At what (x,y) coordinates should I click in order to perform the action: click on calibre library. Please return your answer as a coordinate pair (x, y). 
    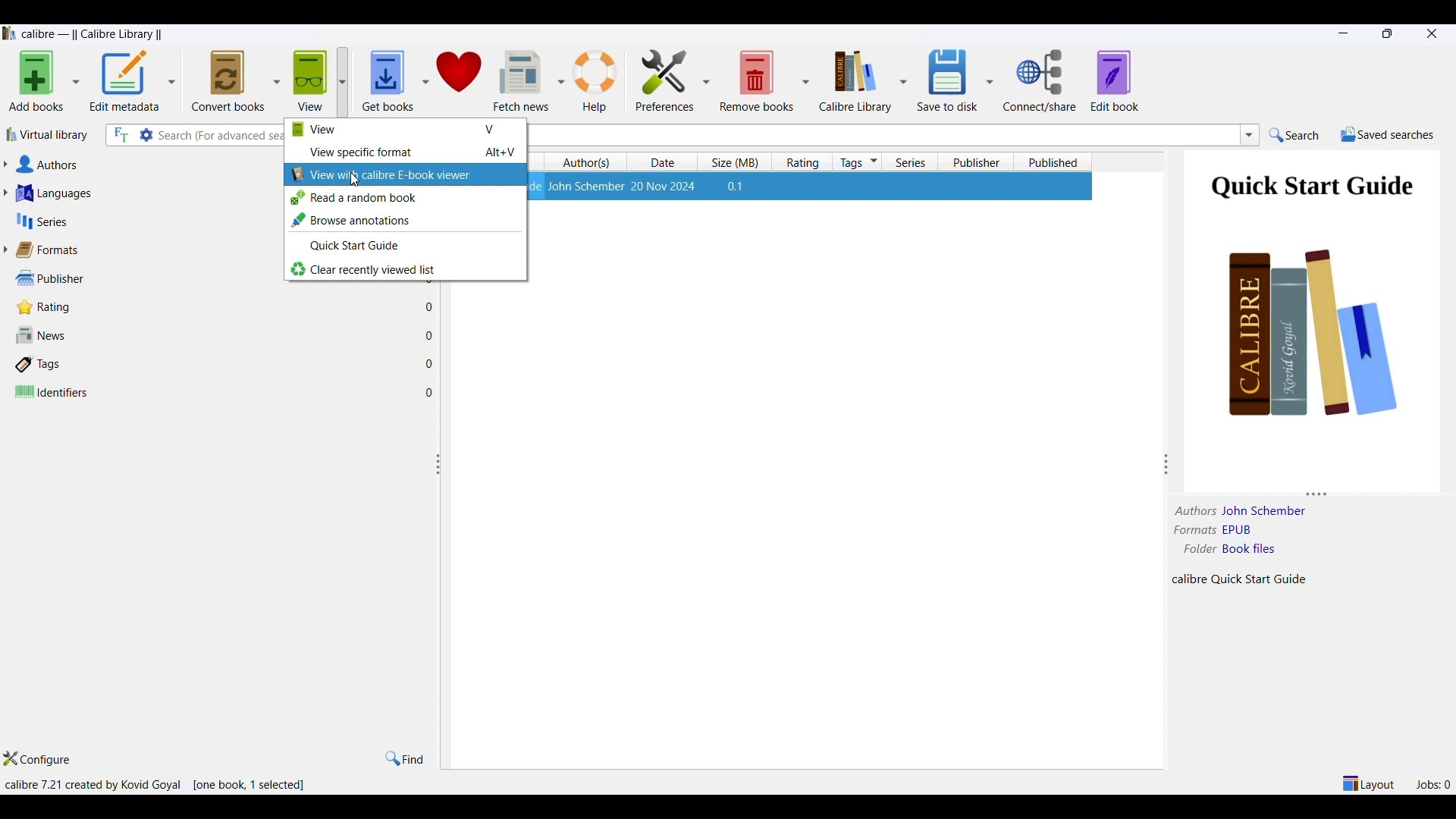
    Looking at the image, I should click on (854, 81).